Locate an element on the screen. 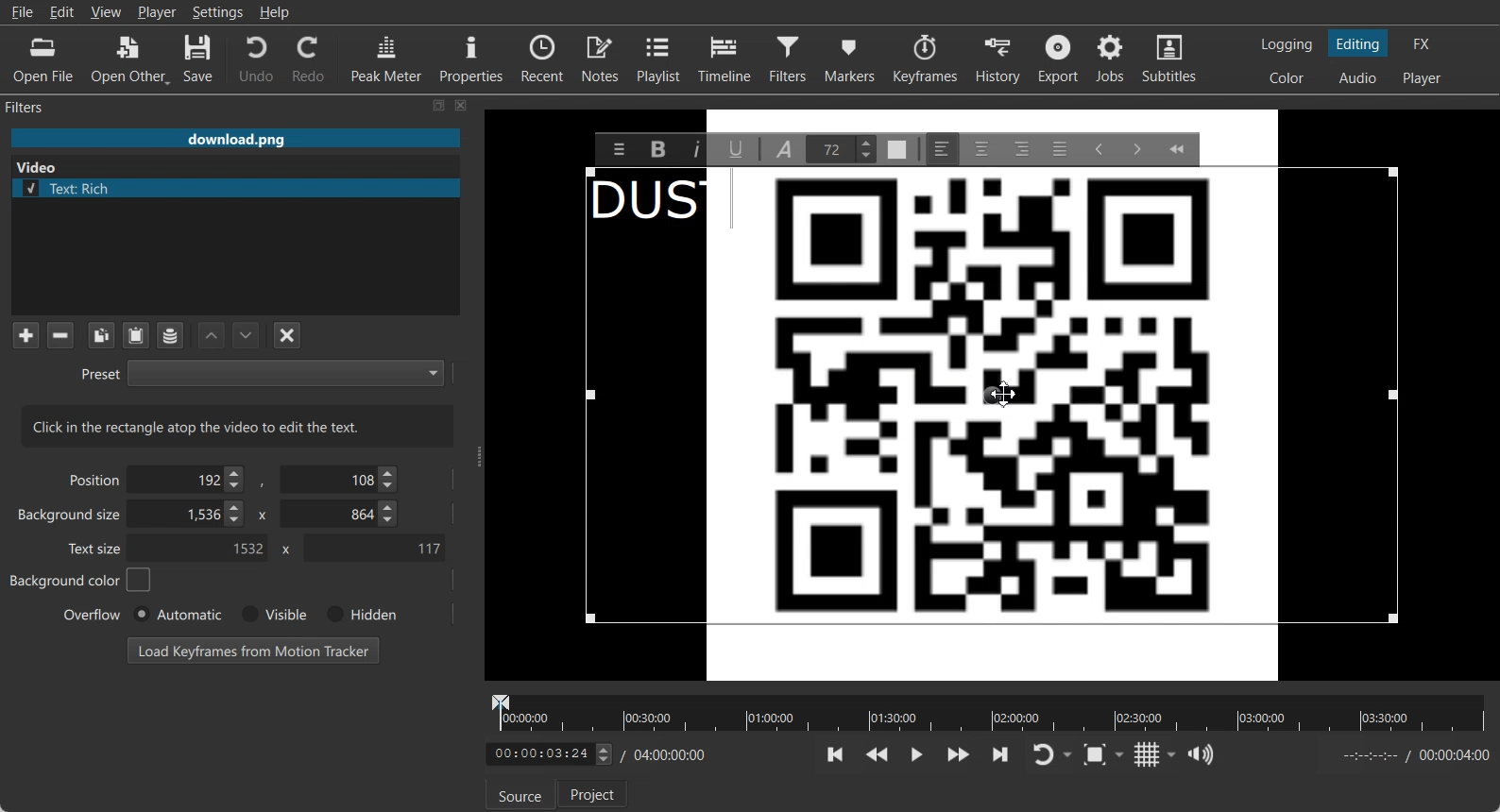 The width and height of the screenshot is (1500, 812). Filters is located at coordinates (791, 58).